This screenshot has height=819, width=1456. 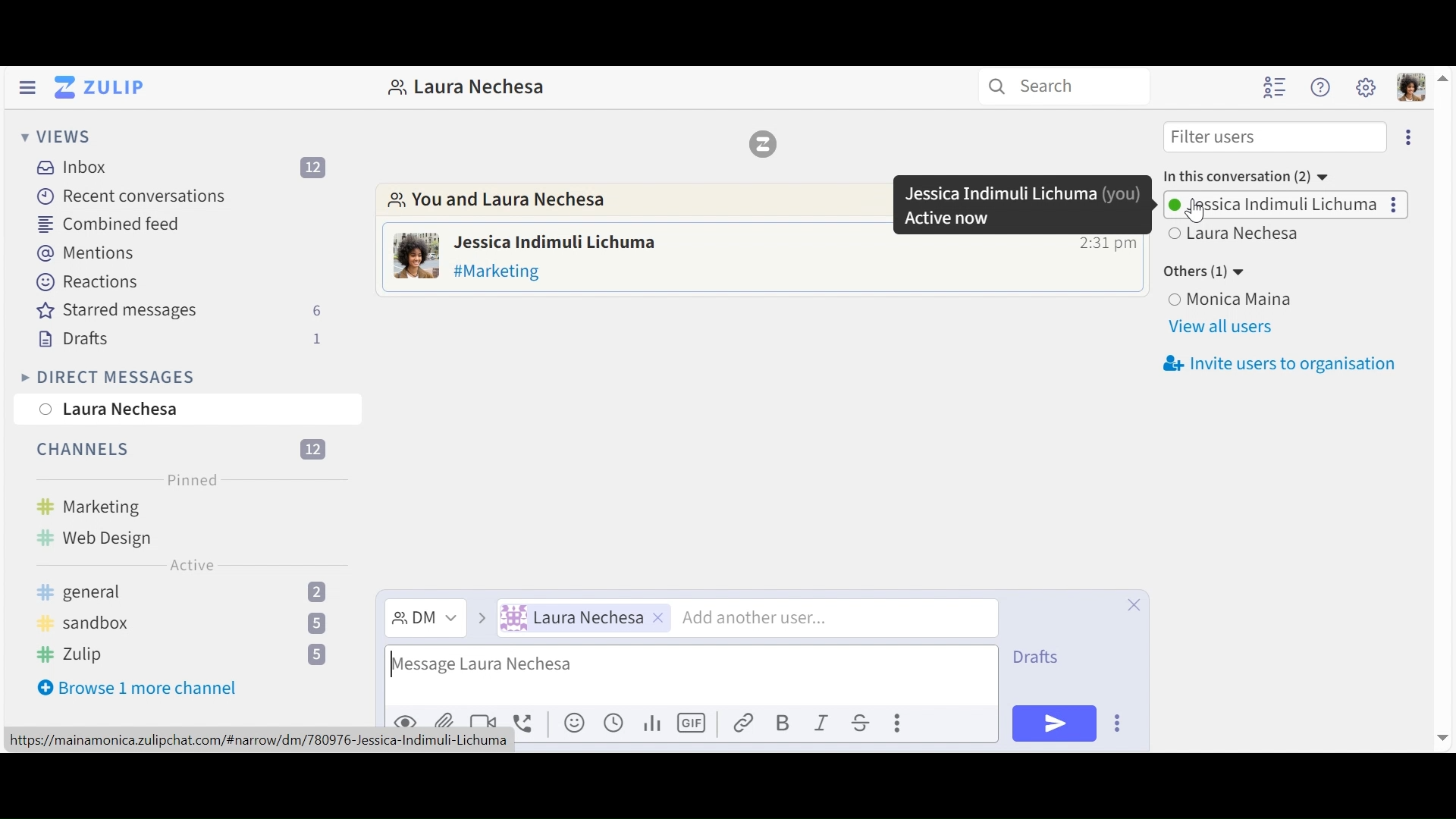 What do you see at coordinates (111, 411) in the screenshot?
I see `Laura Nechesa` at bounding box center [111, 411].